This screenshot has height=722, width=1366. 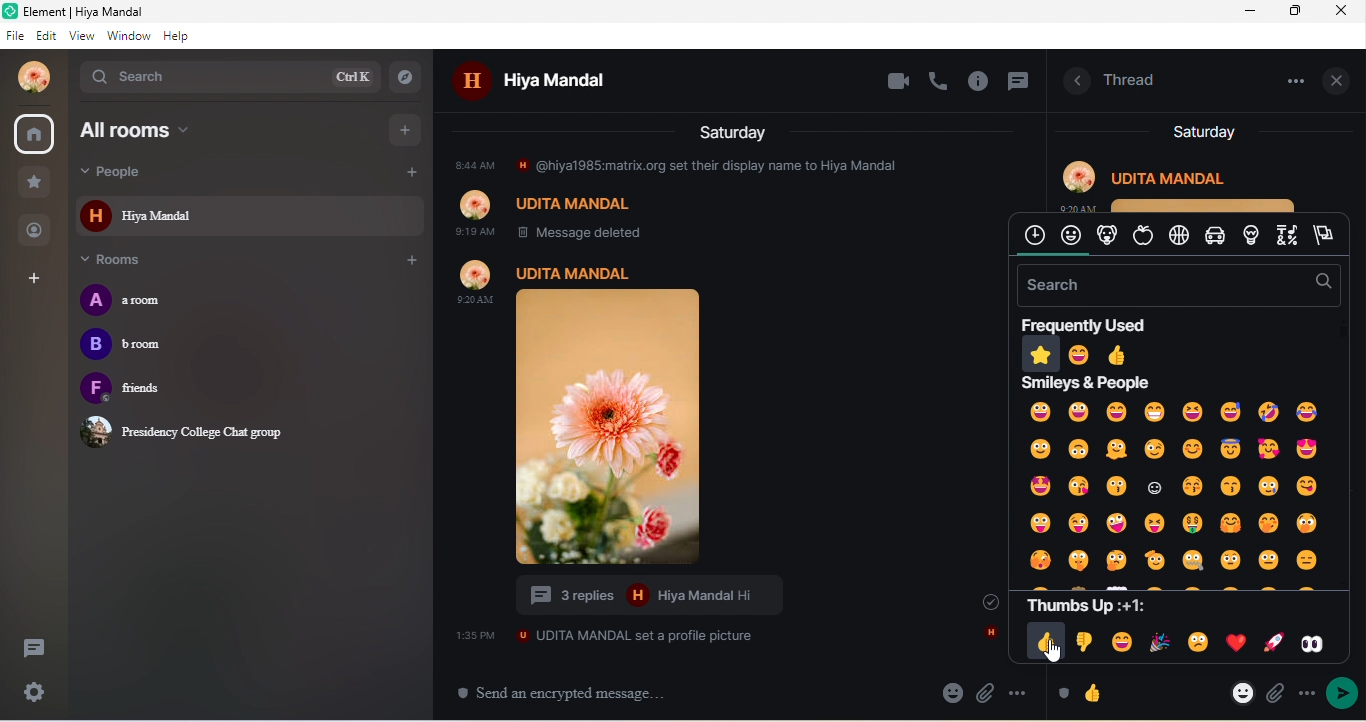 What do you see at coordinates (129, 36) in the screenshot?
I see `window` at bounding box center [129, 36].